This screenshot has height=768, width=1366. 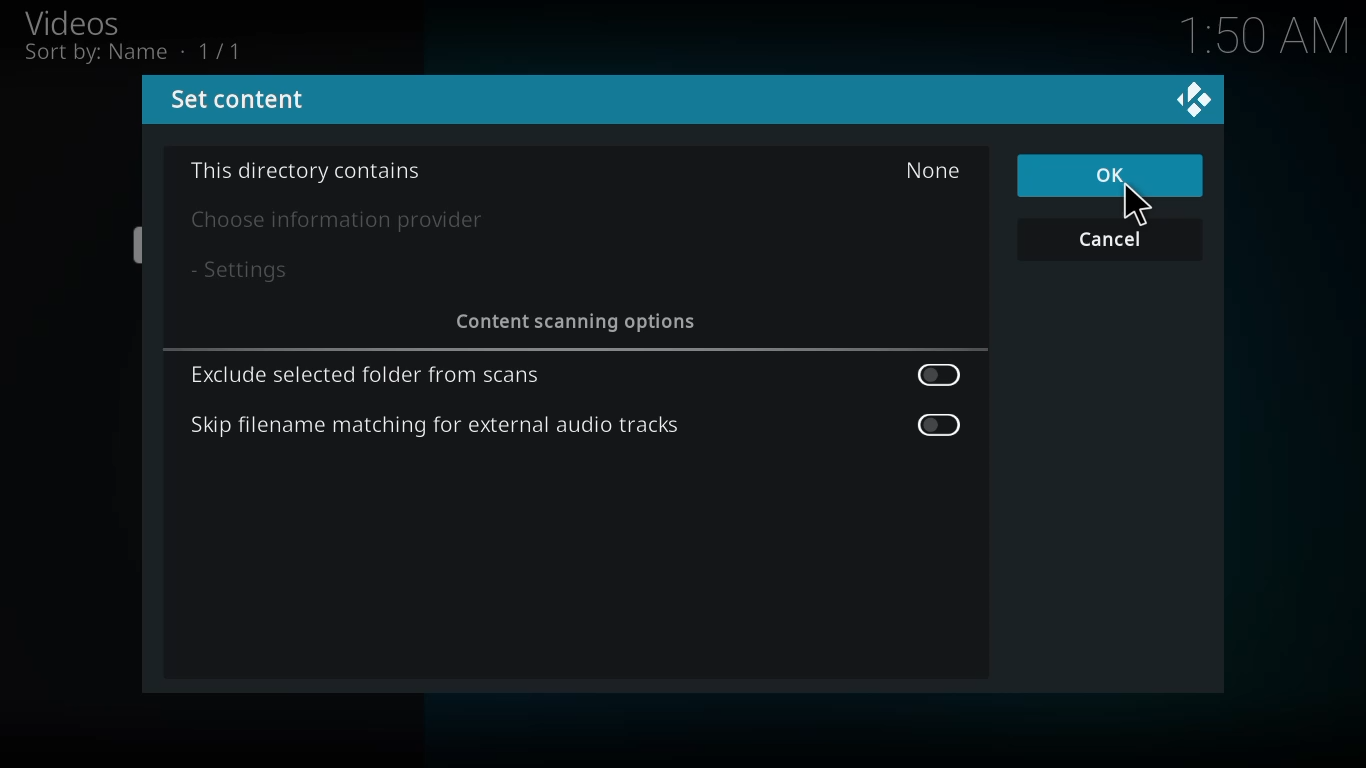 What do you see at coordinates (337, 221) in the screenshot?
I see `choose info` at bounding box center [337, 221].